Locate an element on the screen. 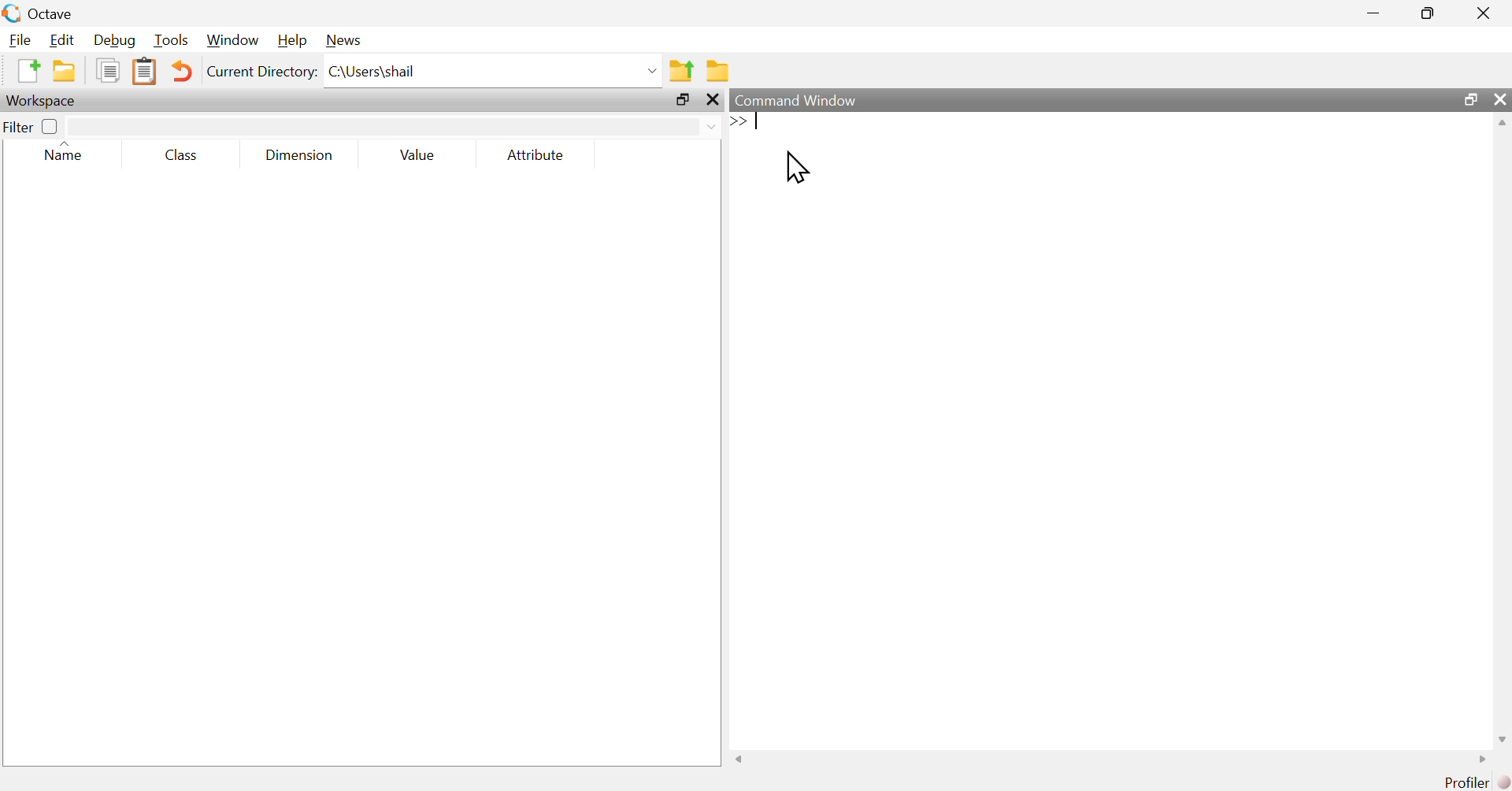 Image resolution: width=1512 pixels, height=791 pixels. C:\Users\shail is located at coordinates (493, 71).